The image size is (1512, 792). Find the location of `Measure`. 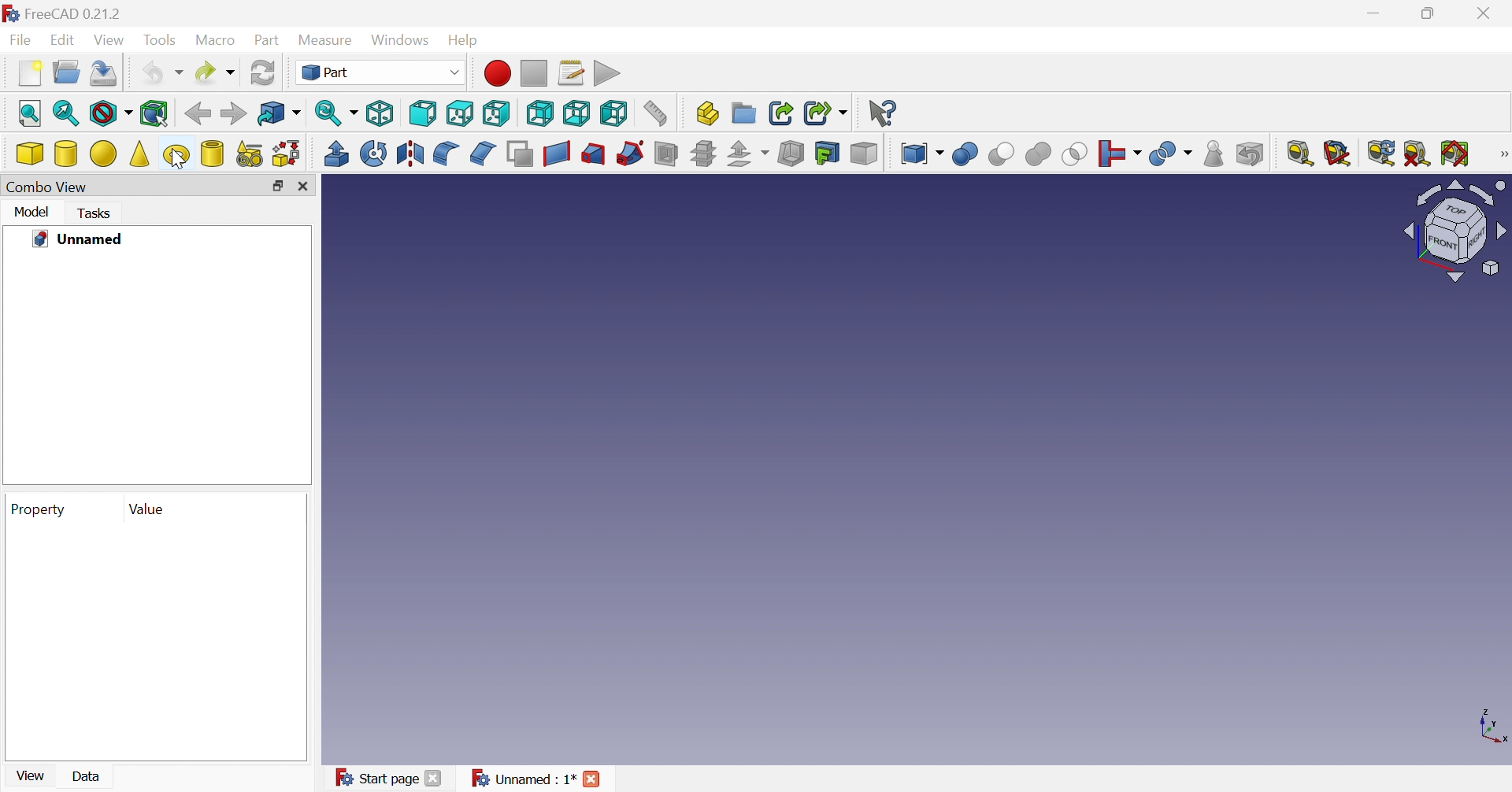

Measure is located at coordinates (326, 42).